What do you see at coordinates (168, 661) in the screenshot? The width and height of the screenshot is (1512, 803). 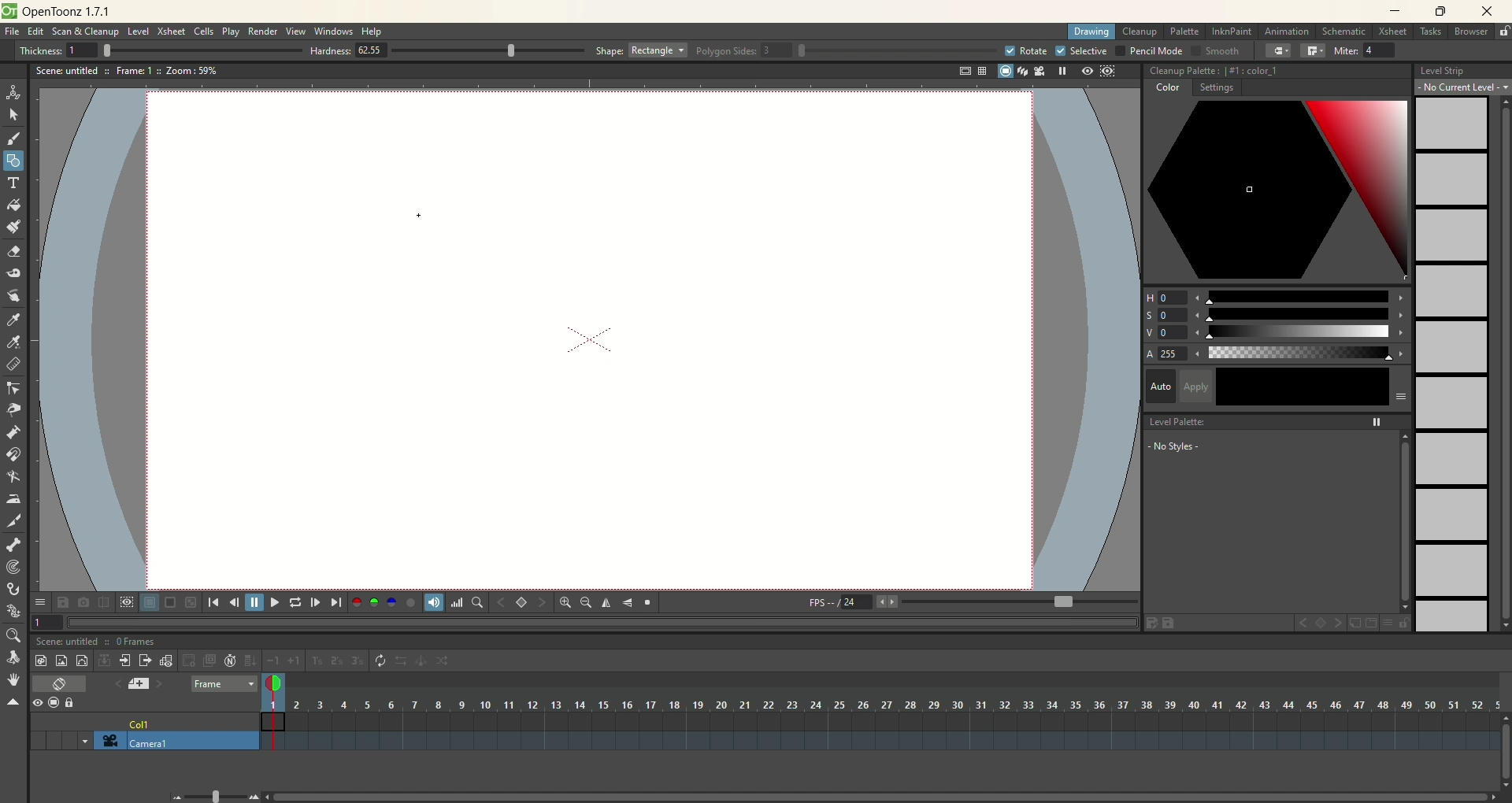 I see `toggle edit in place` at bounding box center [168, 661].